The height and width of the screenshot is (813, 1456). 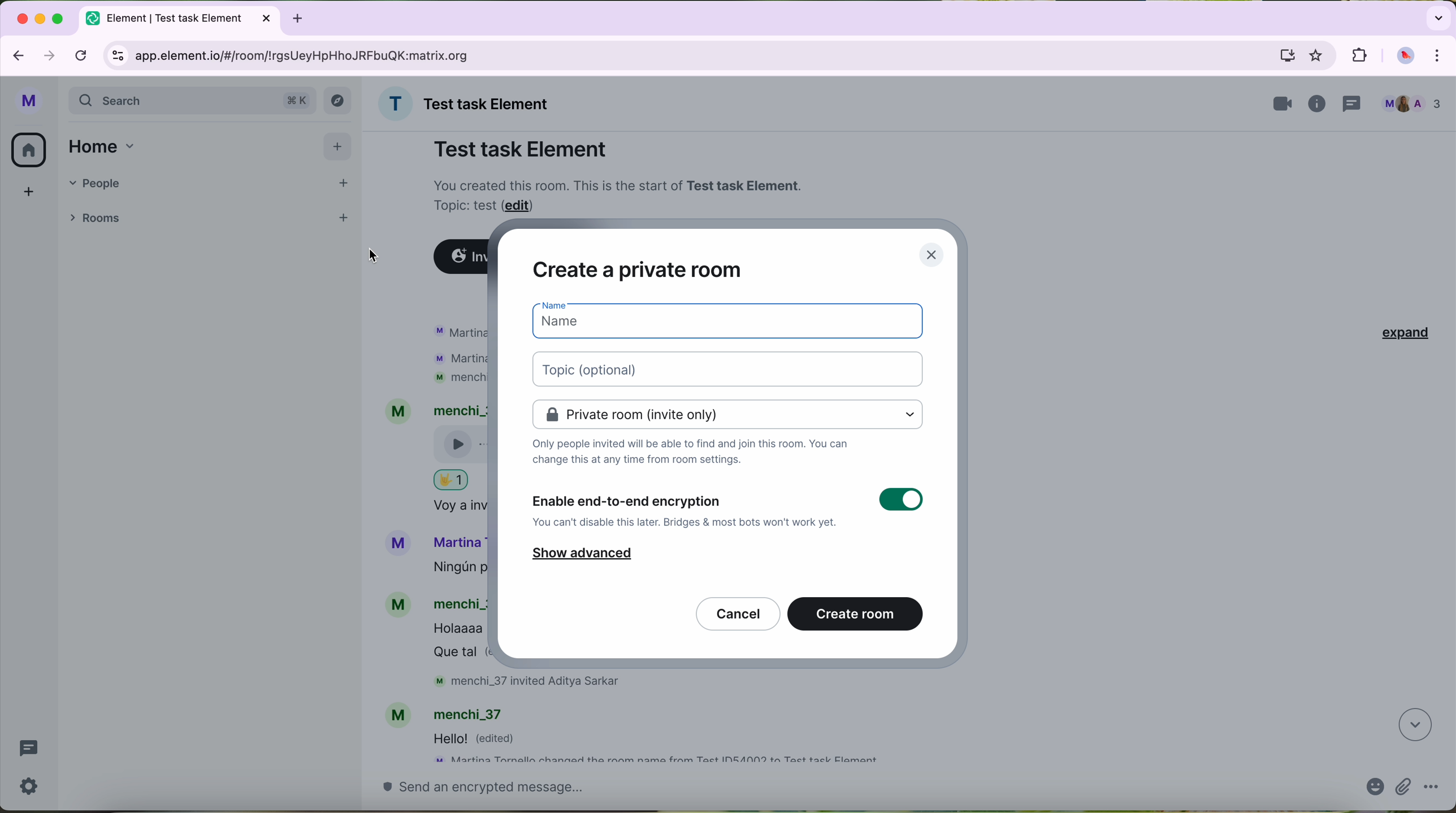 What do you see at coordinates (343, 215) in the screenshot?
I see `add room button` at bounding box center [343, 215].